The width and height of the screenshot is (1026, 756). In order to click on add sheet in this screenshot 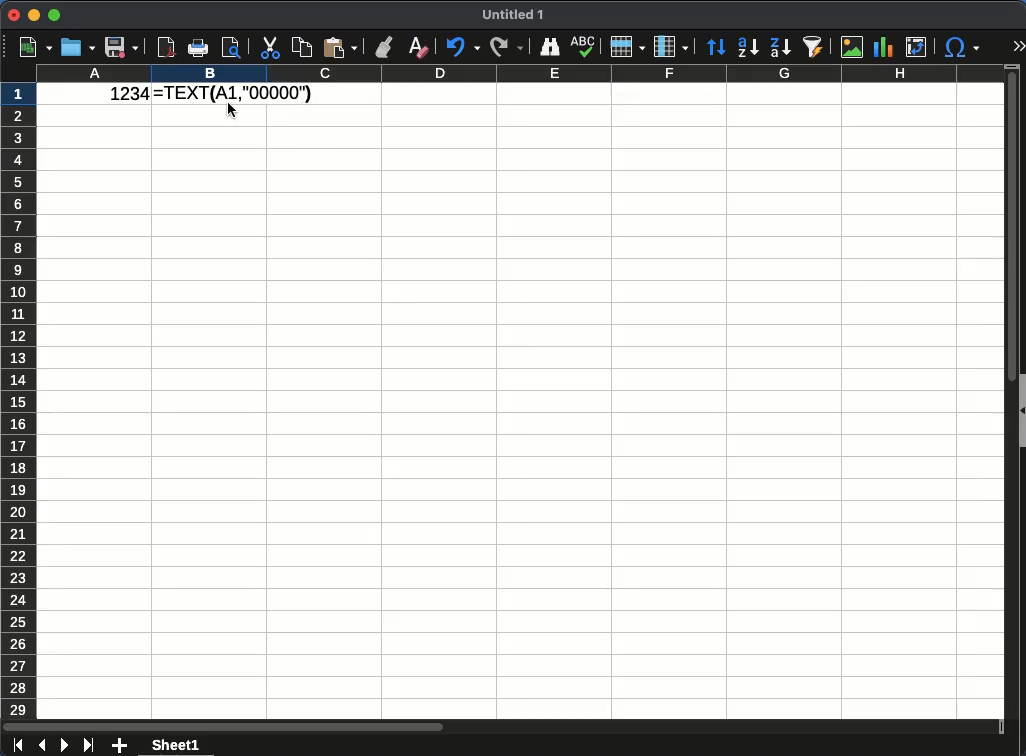, I will do `click(121, 747)`.